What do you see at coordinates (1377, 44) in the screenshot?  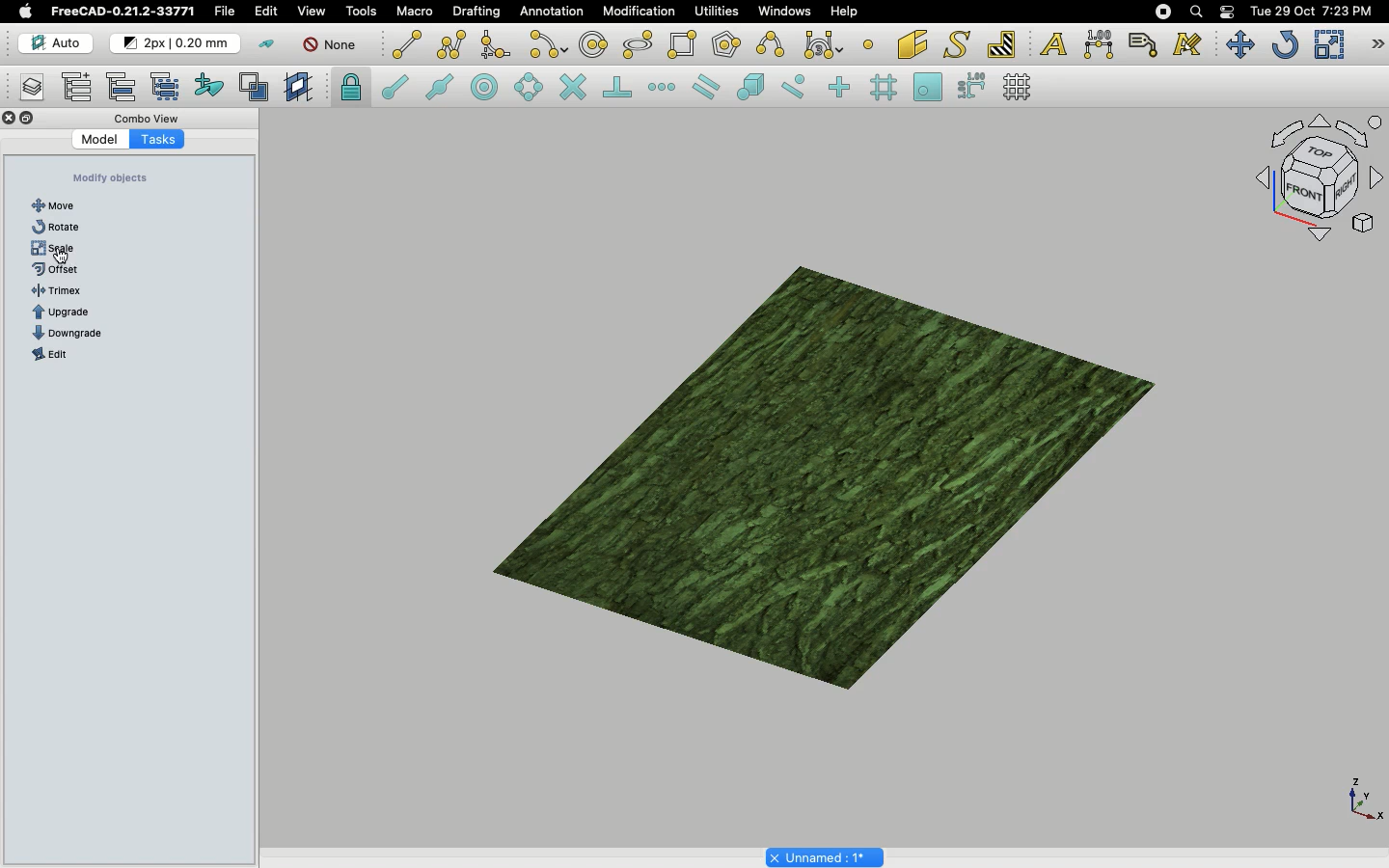 I see `Draft modification tools` at bounding box center [1377, 44].